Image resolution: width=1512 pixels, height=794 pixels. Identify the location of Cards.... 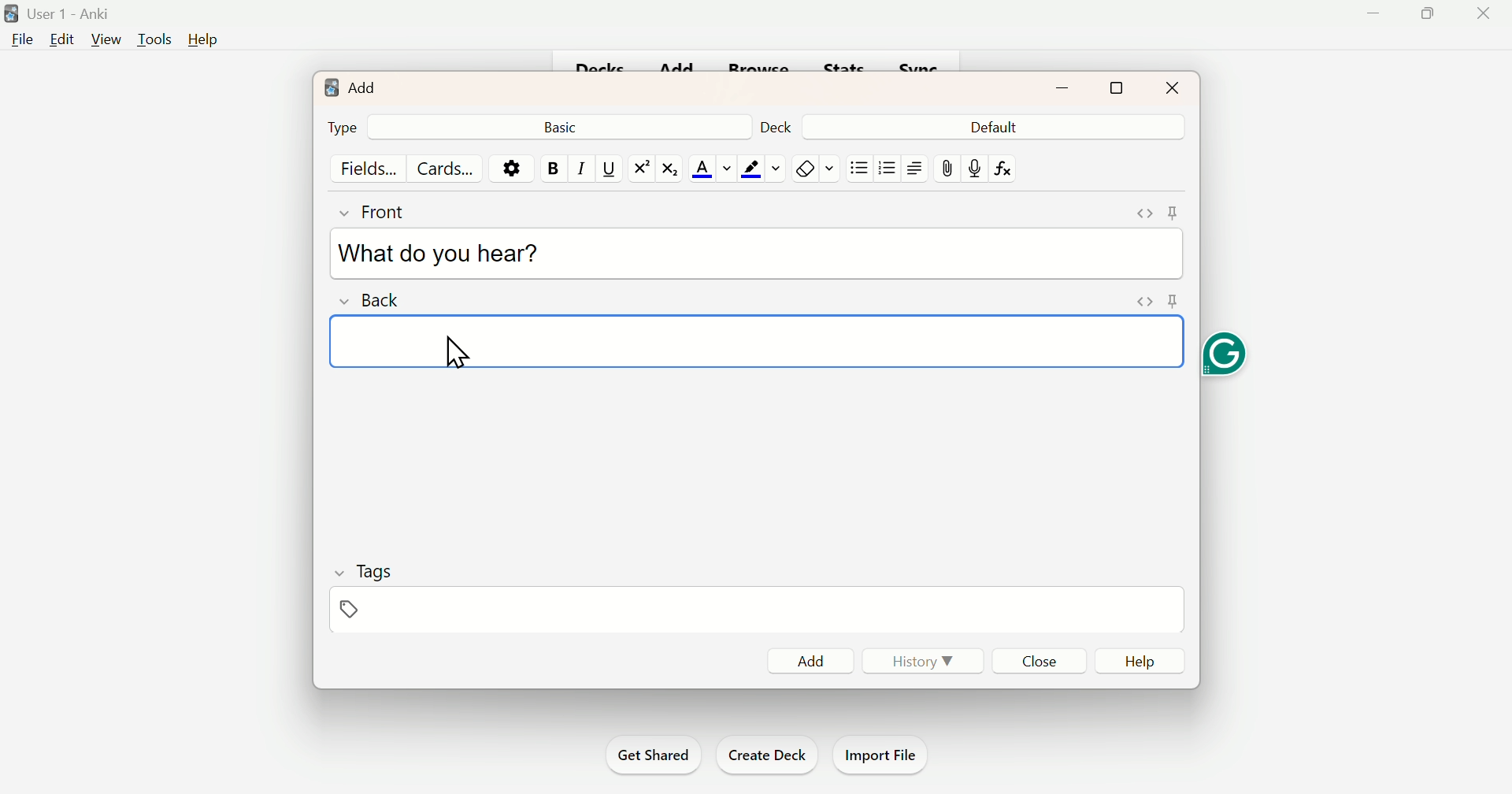
(442, 167).